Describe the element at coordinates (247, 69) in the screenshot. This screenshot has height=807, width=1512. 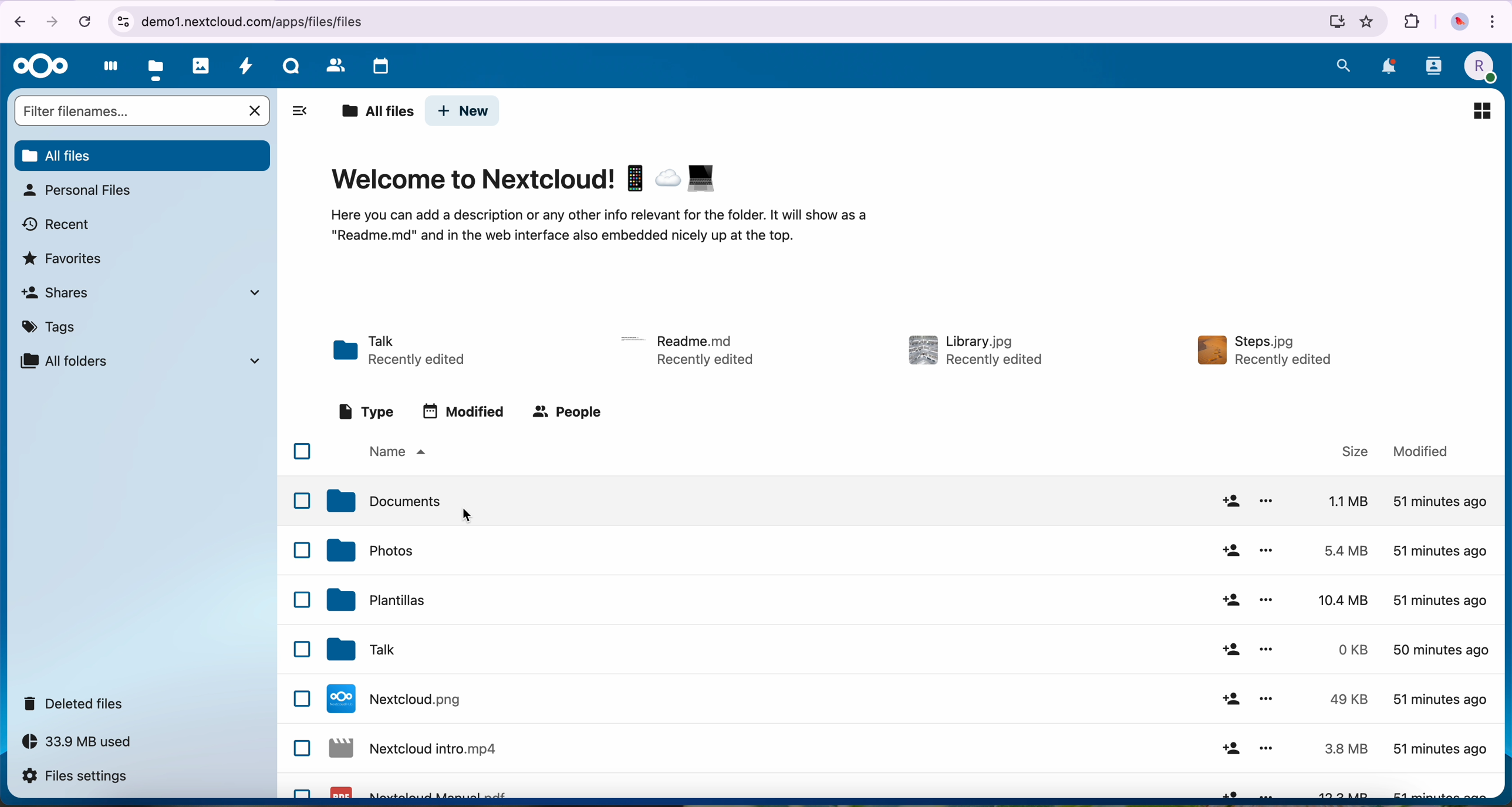
I see `activity` at that location.